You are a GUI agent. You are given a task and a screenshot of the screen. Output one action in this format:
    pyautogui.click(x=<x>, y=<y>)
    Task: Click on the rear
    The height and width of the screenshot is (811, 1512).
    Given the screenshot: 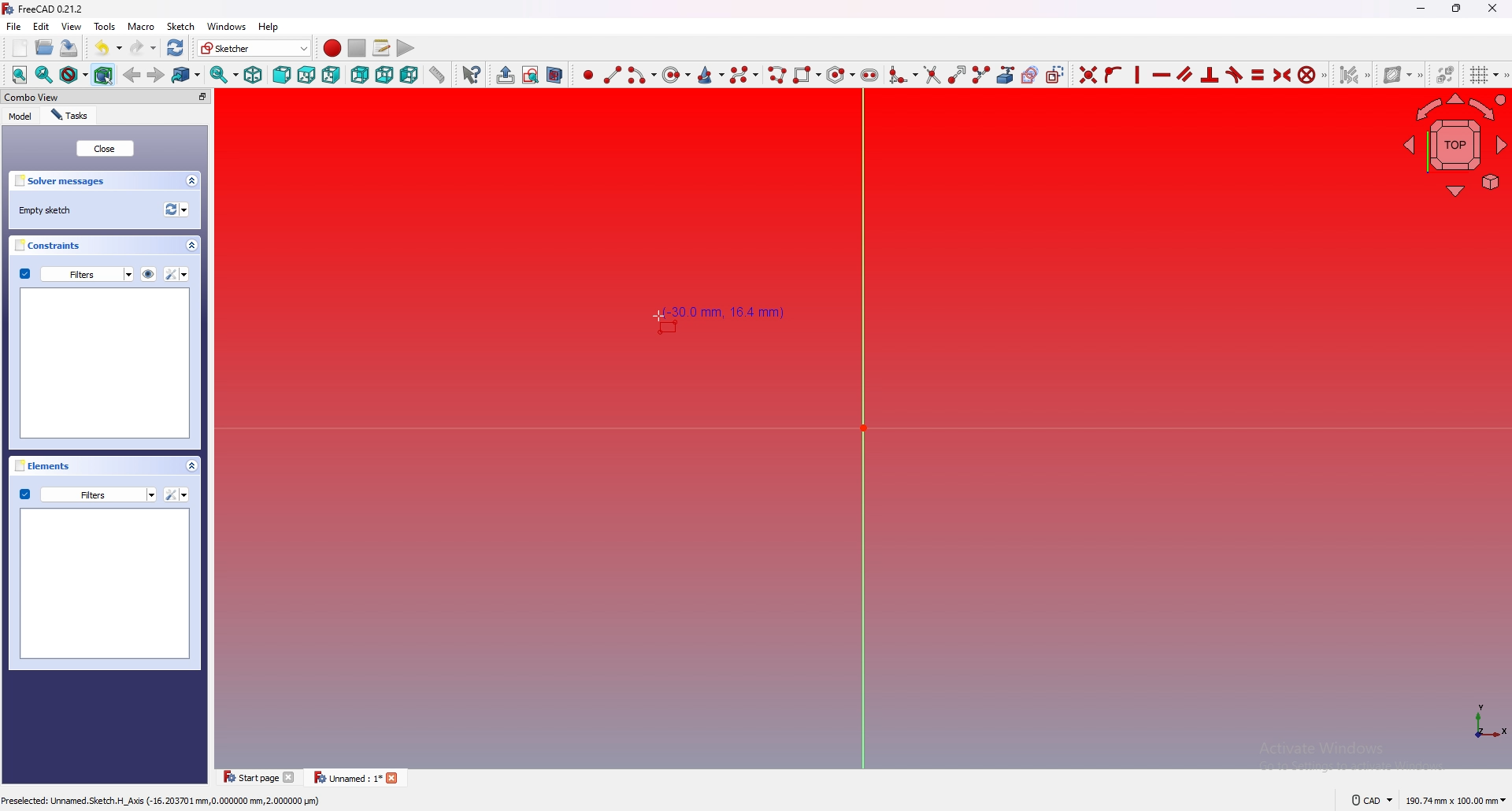 What is the action you would take?
    pyautogui.click(x=359, y=75)
    